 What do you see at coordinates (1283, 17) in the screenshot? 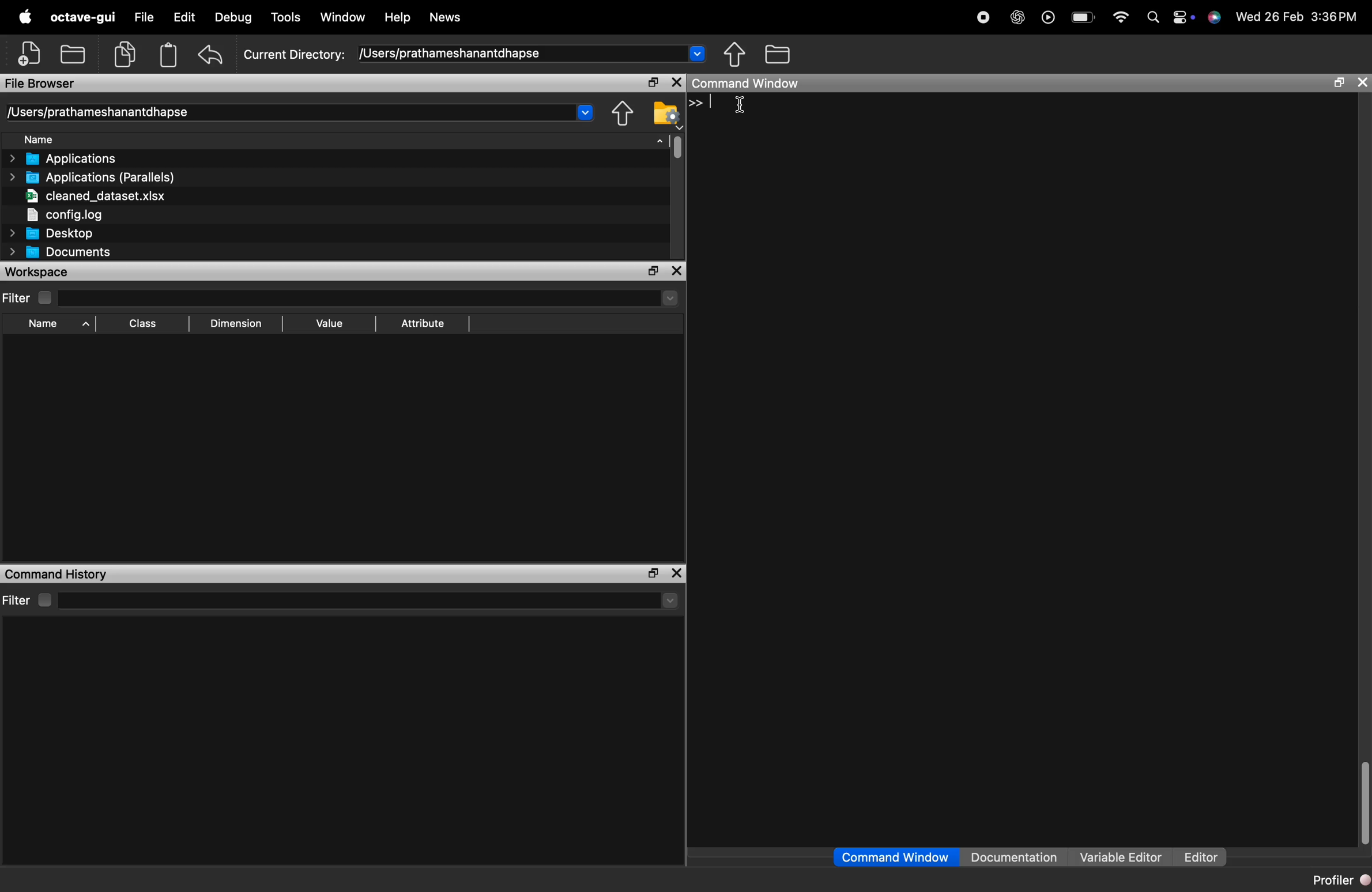
I see `26 Feb` at bounding box center [1283, 17].